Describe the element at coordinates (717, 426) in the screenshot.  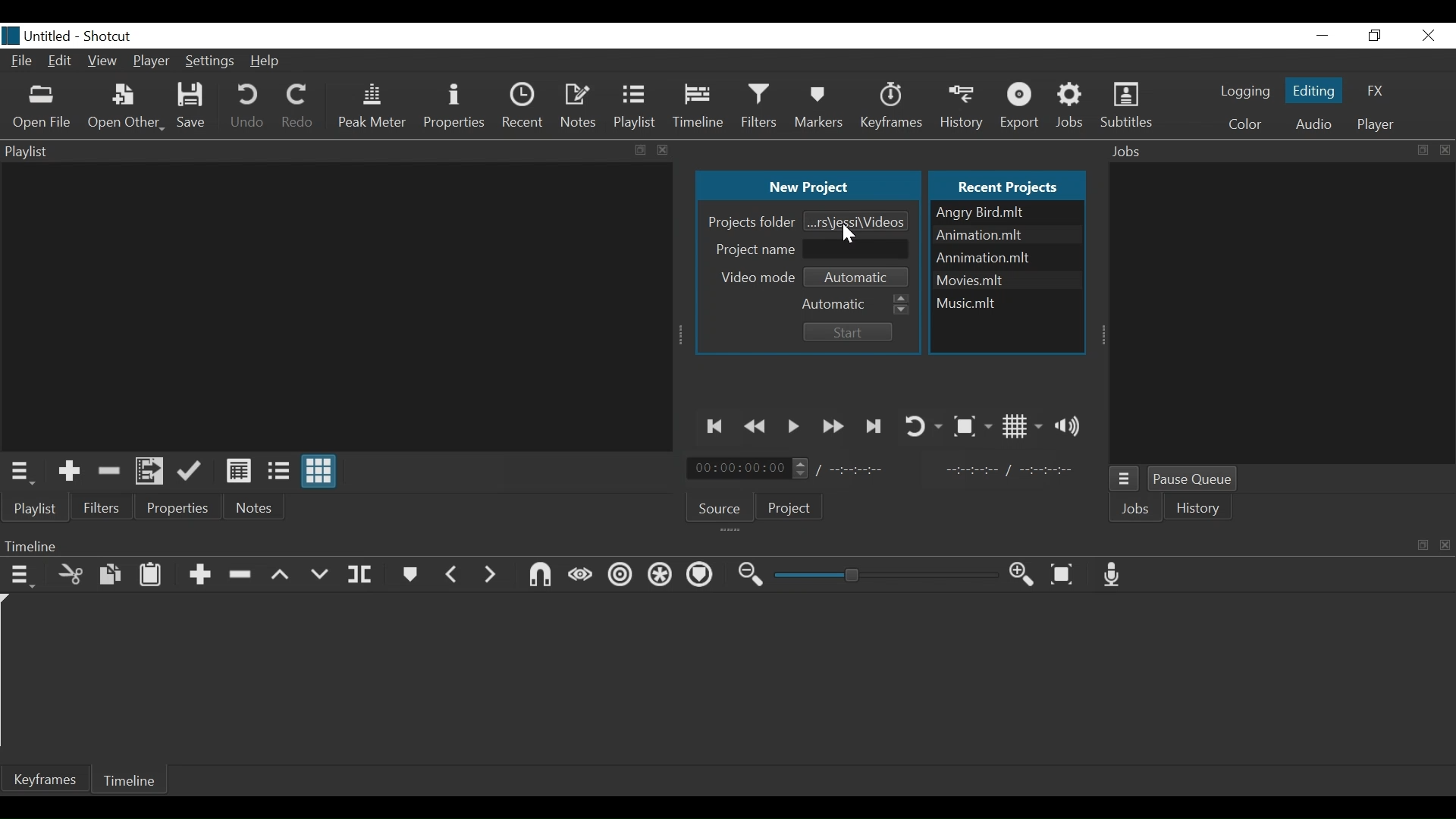
I see `Skip to the previous point` at that location.